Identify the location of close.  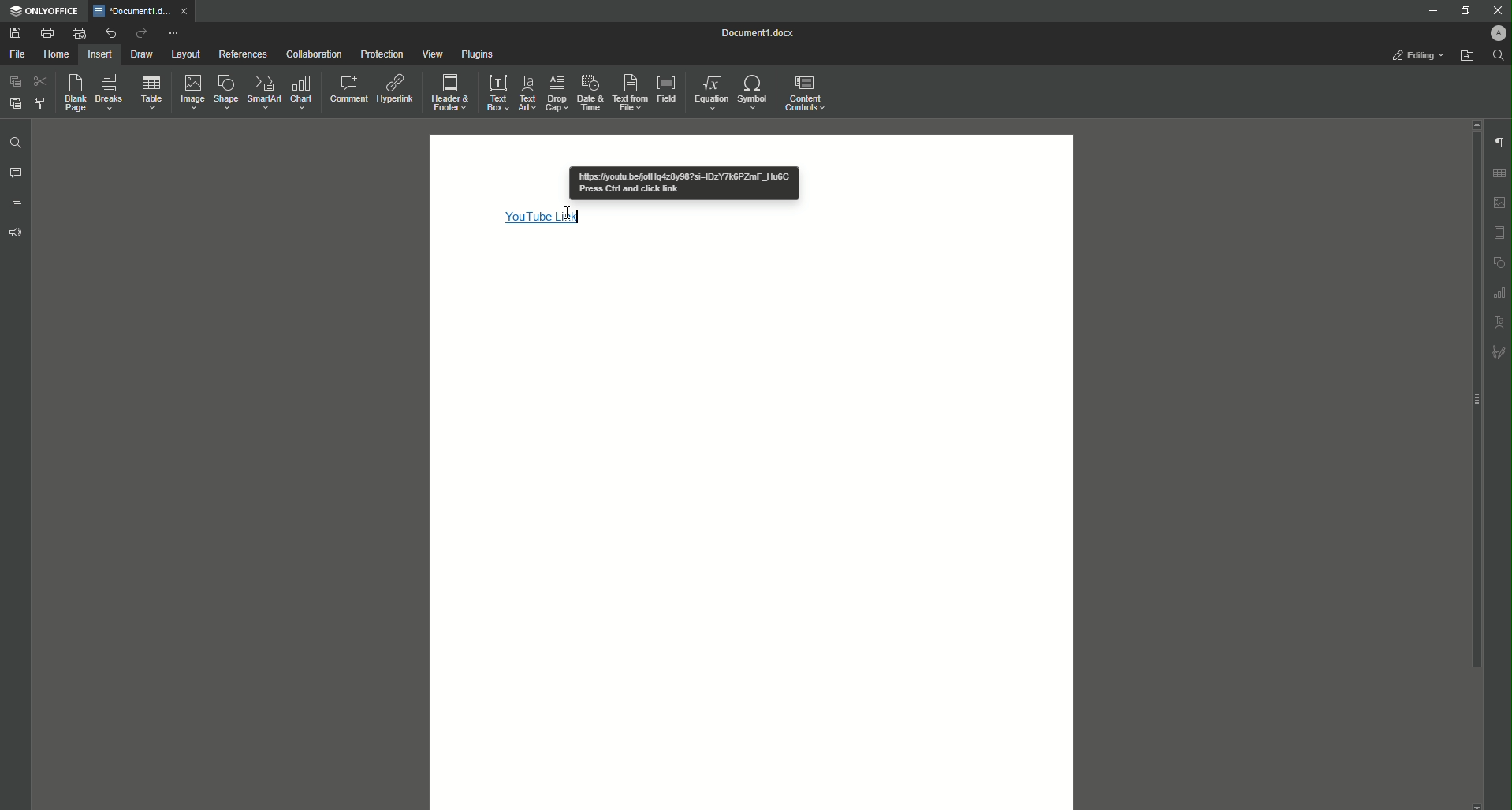
(185, 10).